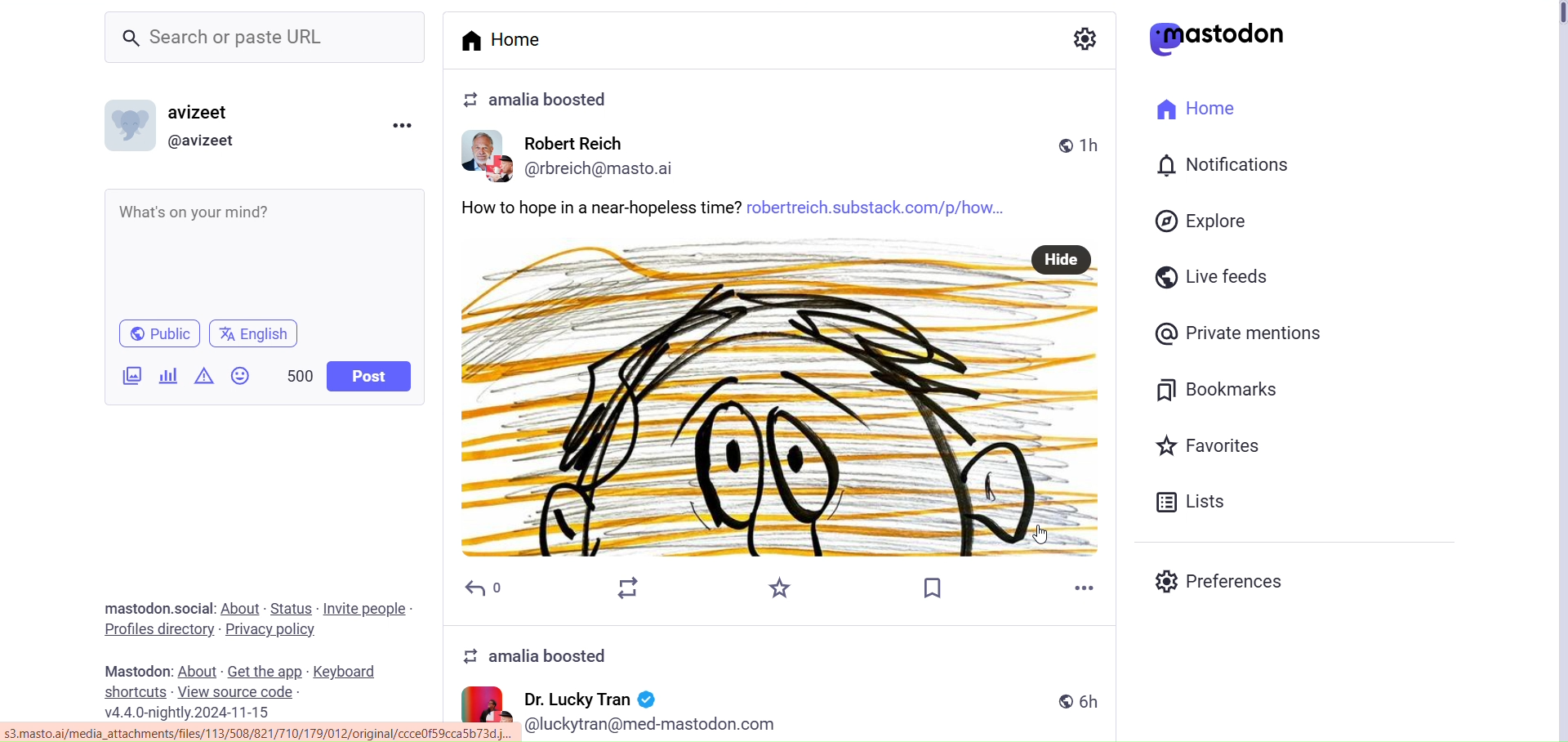 This screenshot has height=742, width=1568. Describe the element at coordinates (489, 154) in the screenshot. I see `profile image` at that location.